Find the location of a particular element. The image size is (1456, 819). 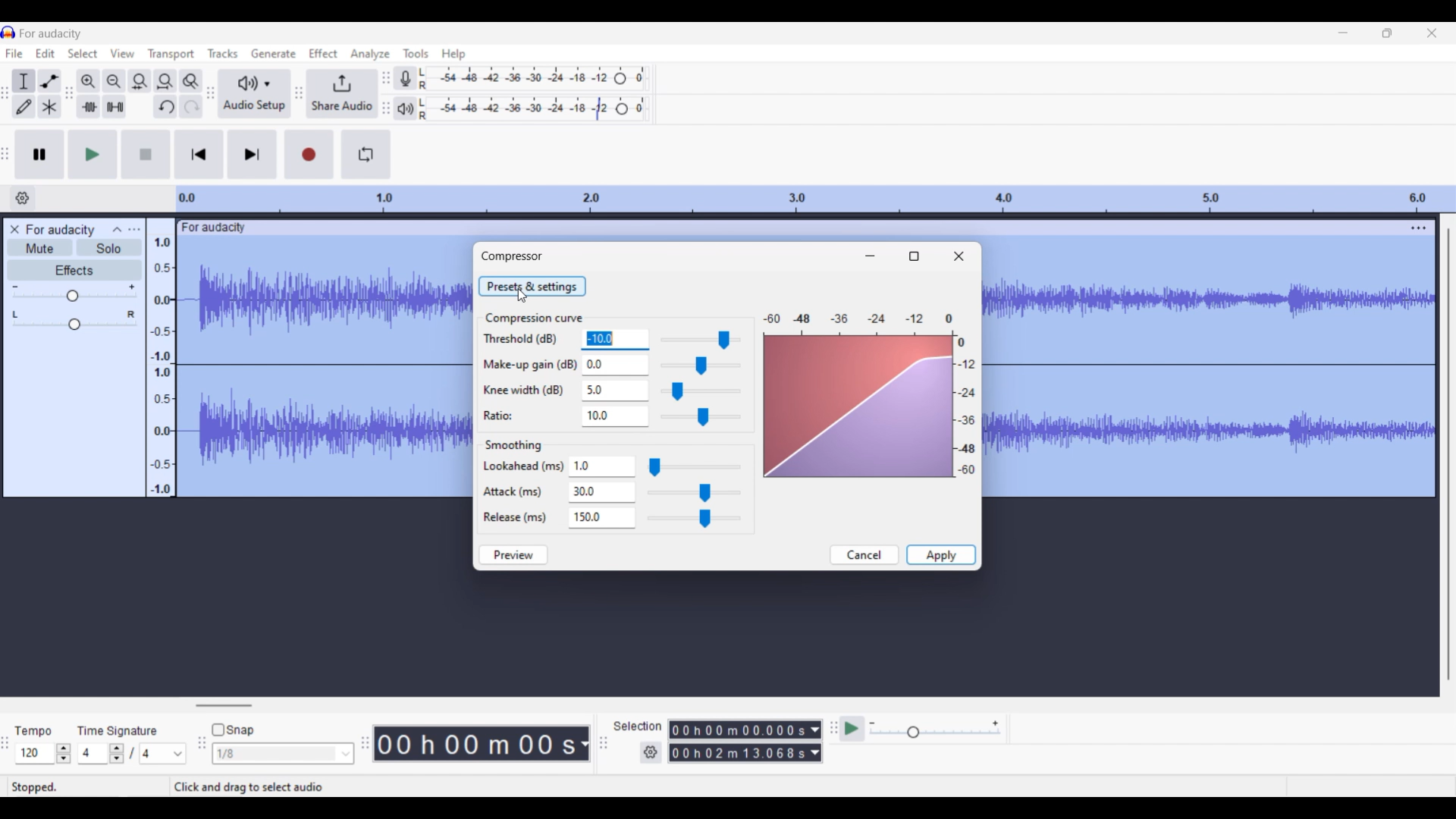

Stop is located at coordinates (146, 154).